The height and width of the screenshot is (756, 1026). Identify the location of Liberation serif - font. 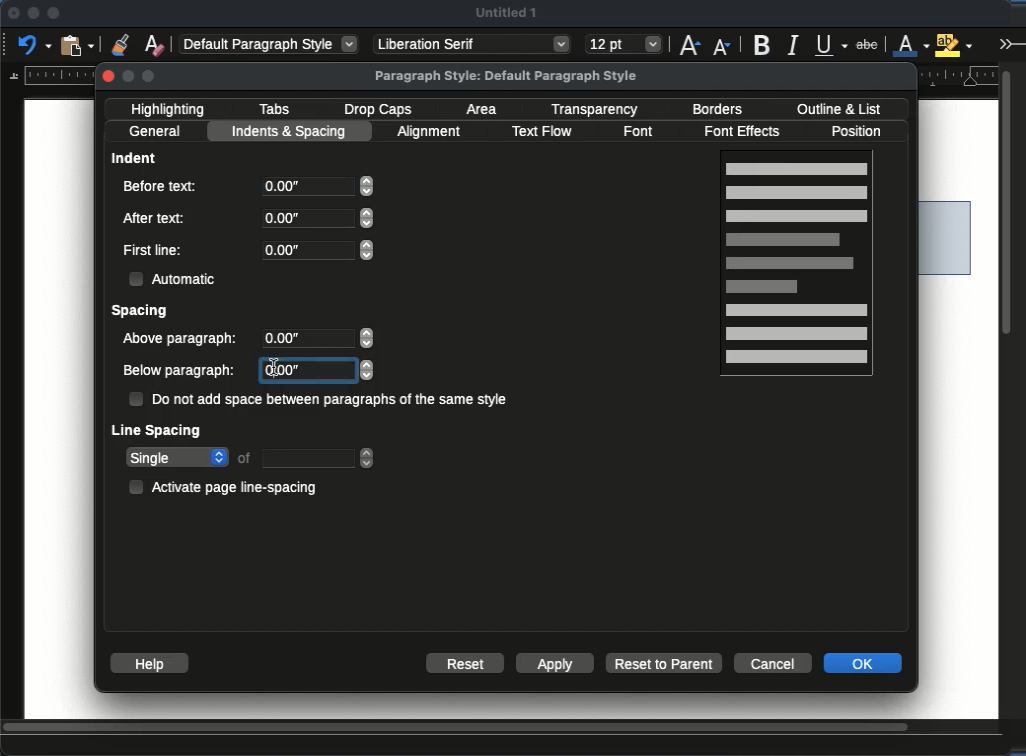
(473, 44).